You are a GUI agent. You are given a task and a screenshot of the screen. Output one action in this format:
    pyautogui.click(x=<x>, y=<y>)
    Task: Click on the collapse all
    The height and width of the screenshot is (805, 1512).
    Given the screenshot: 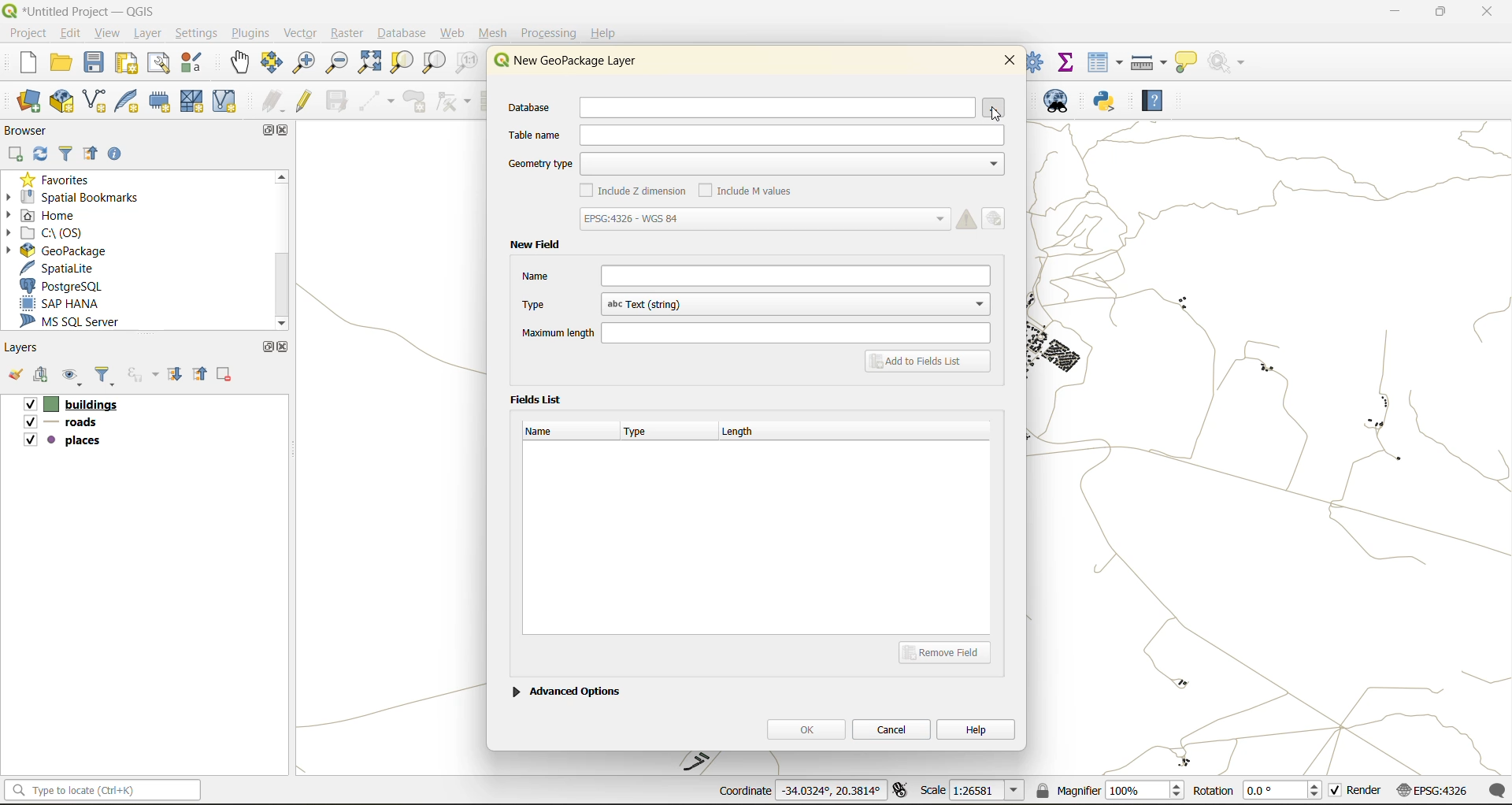 What is the action you would take?
    pyautogui.click(x=94, y=154)
    